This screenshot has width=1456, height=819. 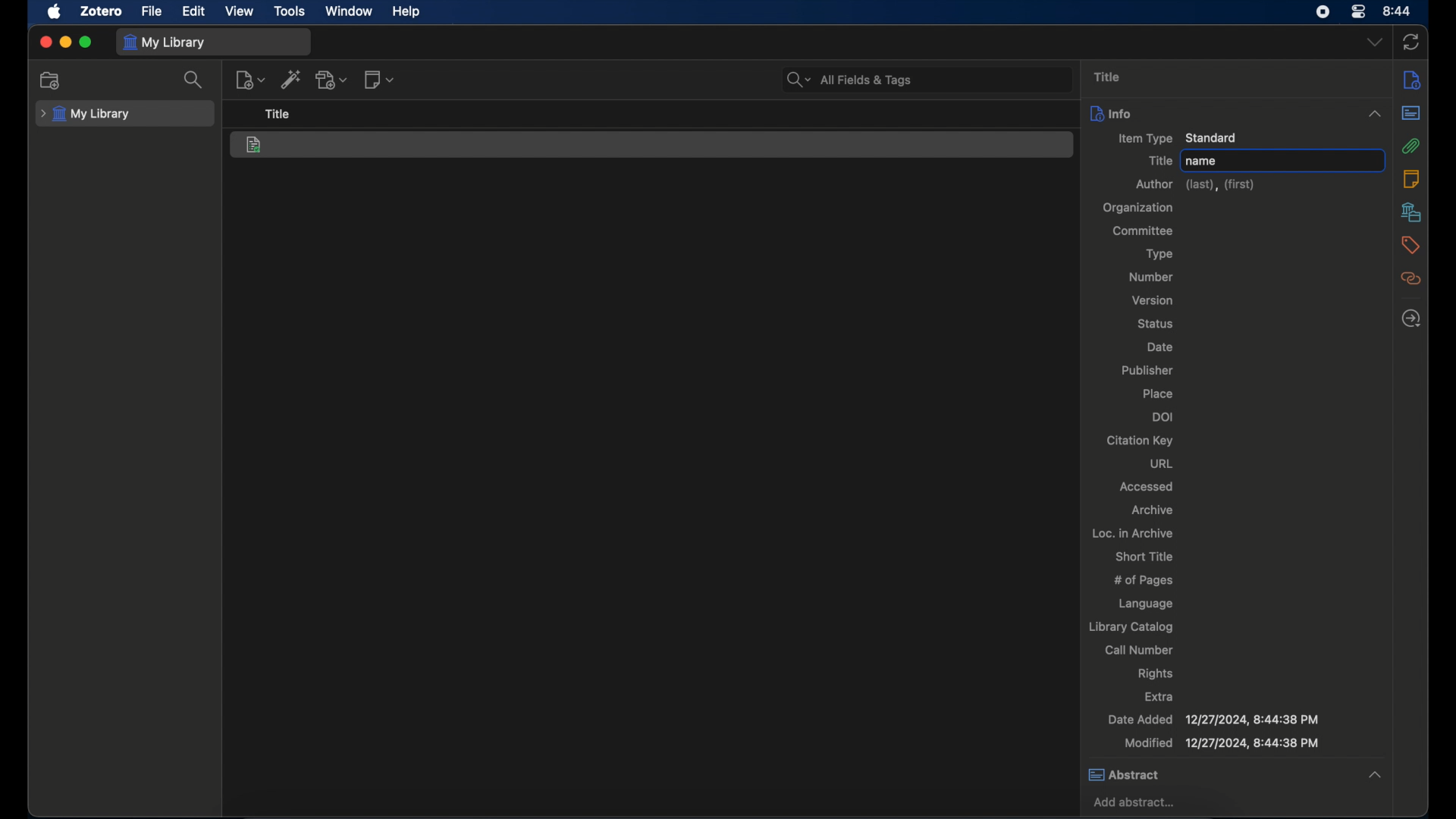 I want to click on extra, so click(x=1159, y=696).